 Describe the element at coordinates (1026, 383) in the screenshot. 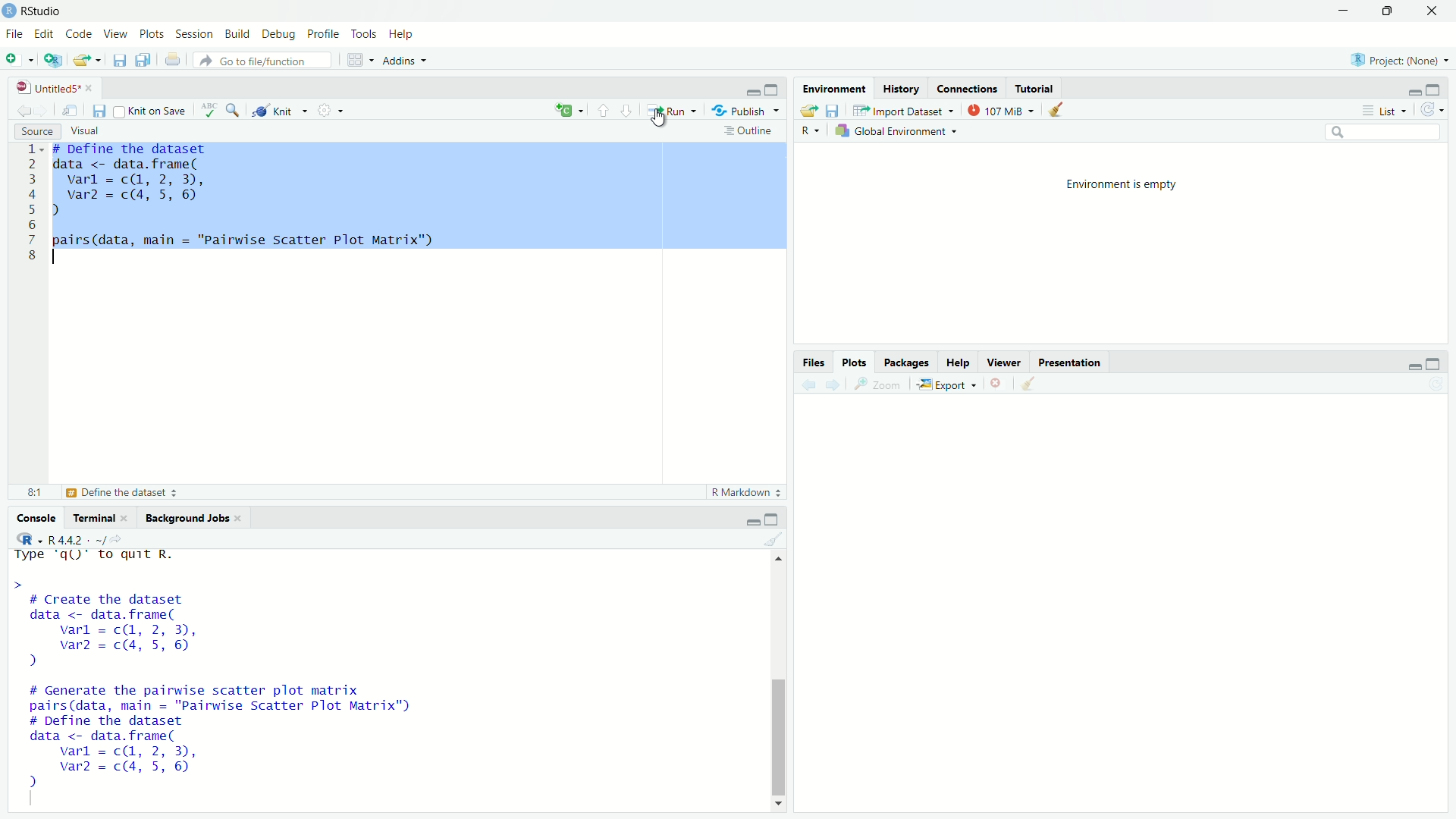

I see `Clear console (Ctrl +L)` at that location.